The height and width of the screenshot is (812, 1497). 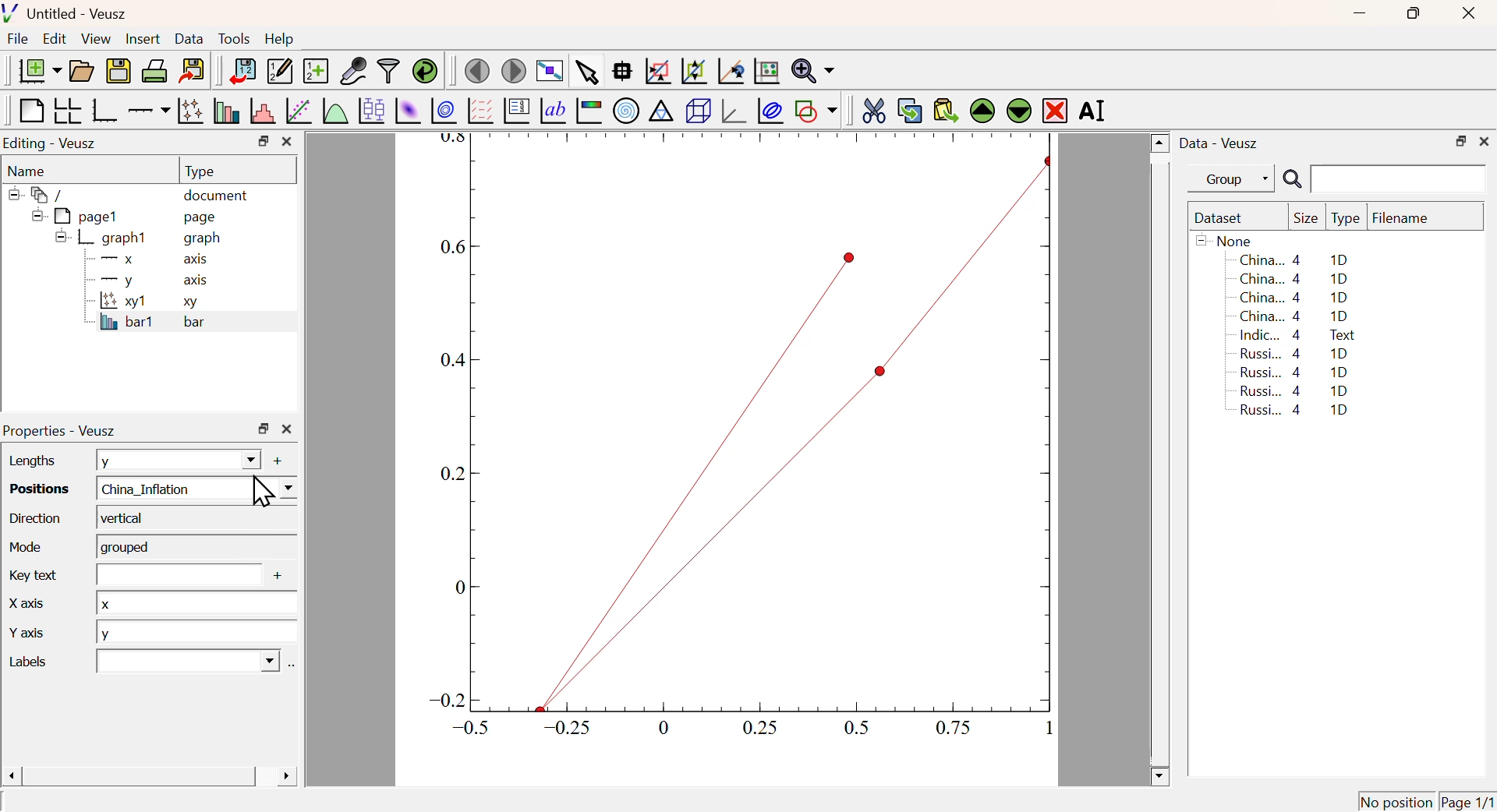 What do you see at coordinates (1466, 15) in the screenshot?
I see `Close` at bounding box center [1466, 15].